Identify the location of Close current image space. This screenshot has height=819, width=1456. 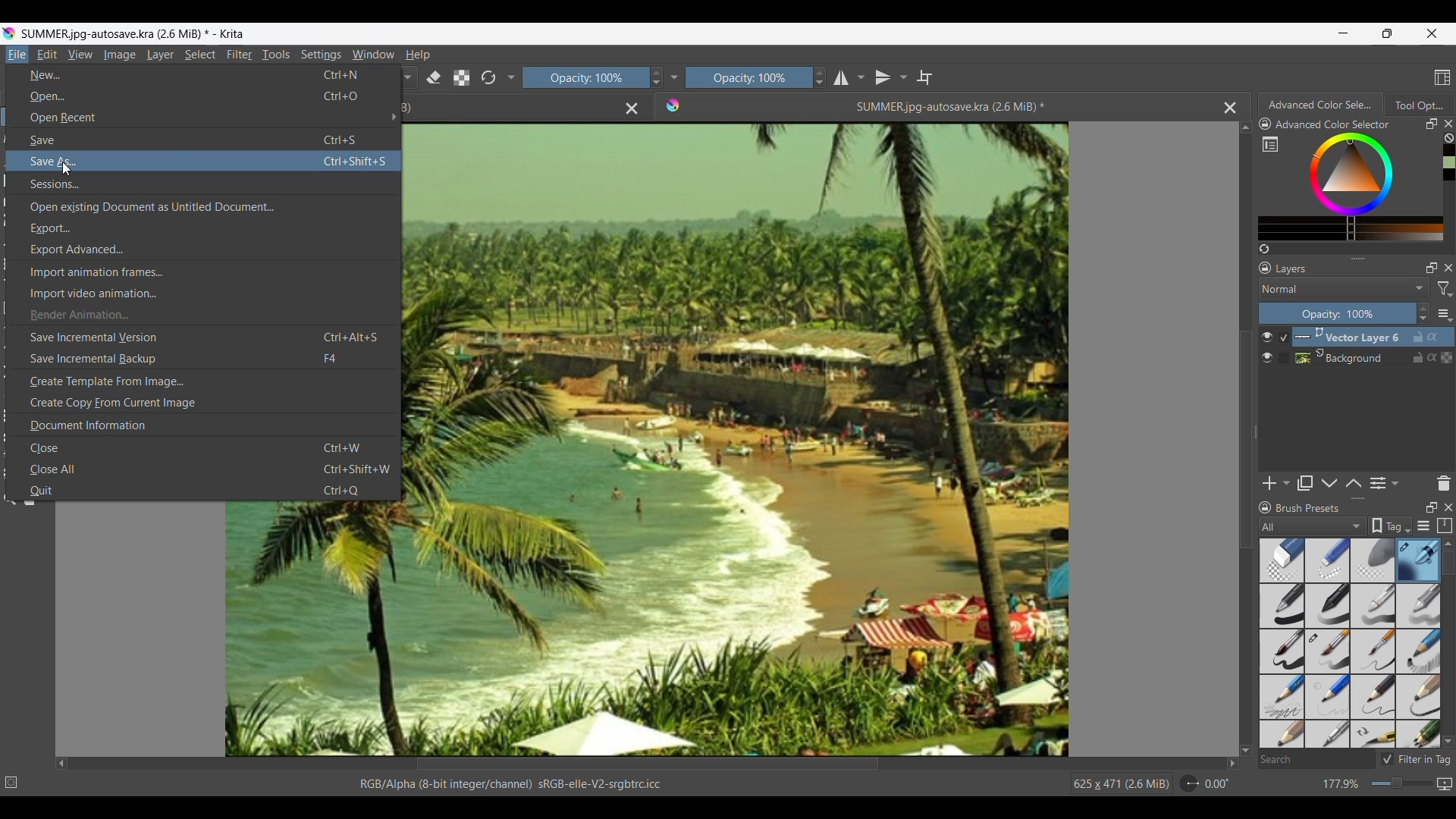
(1230, 108).